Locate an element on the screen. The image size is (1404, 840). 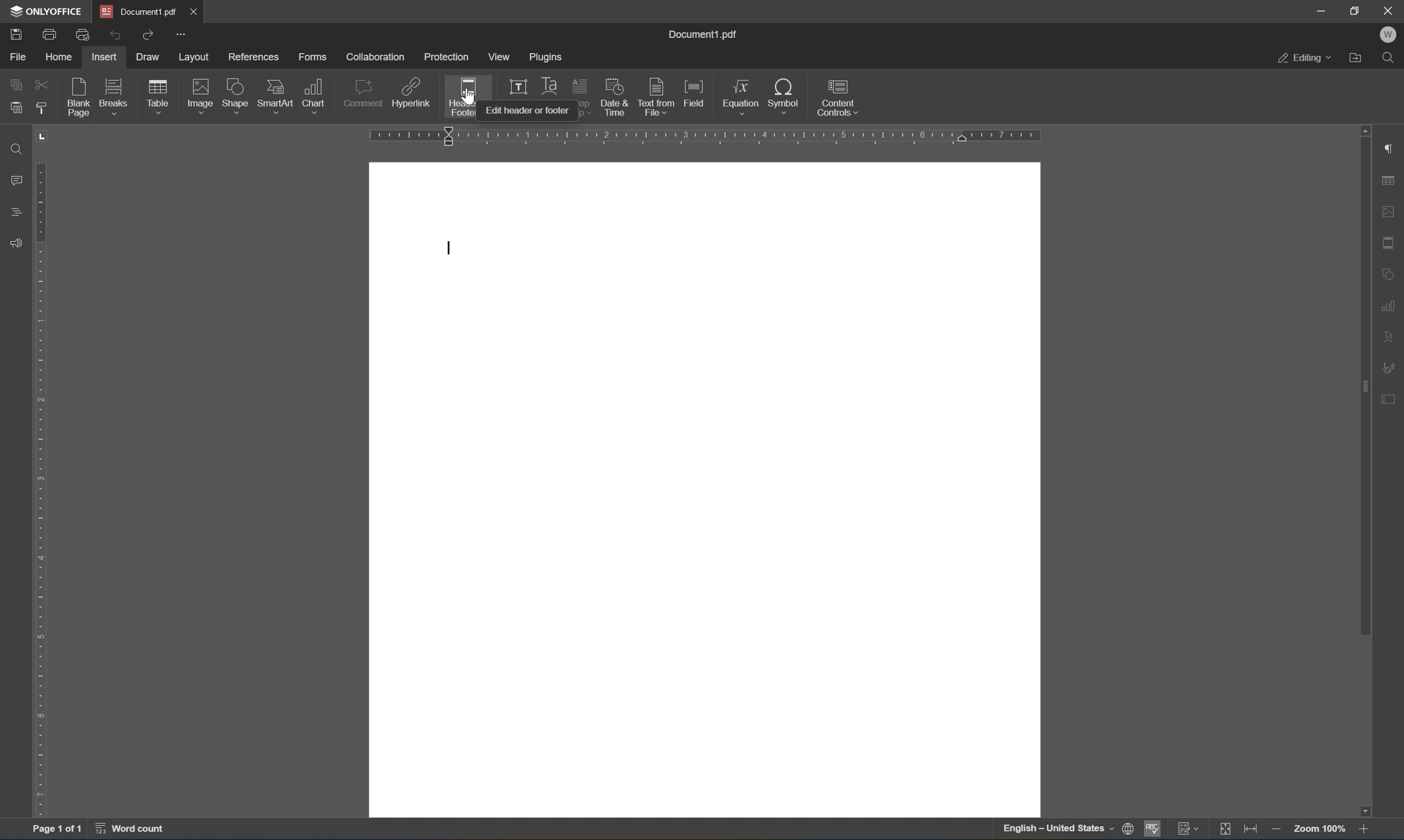
spell checking is located at coordinates (1152, 830).